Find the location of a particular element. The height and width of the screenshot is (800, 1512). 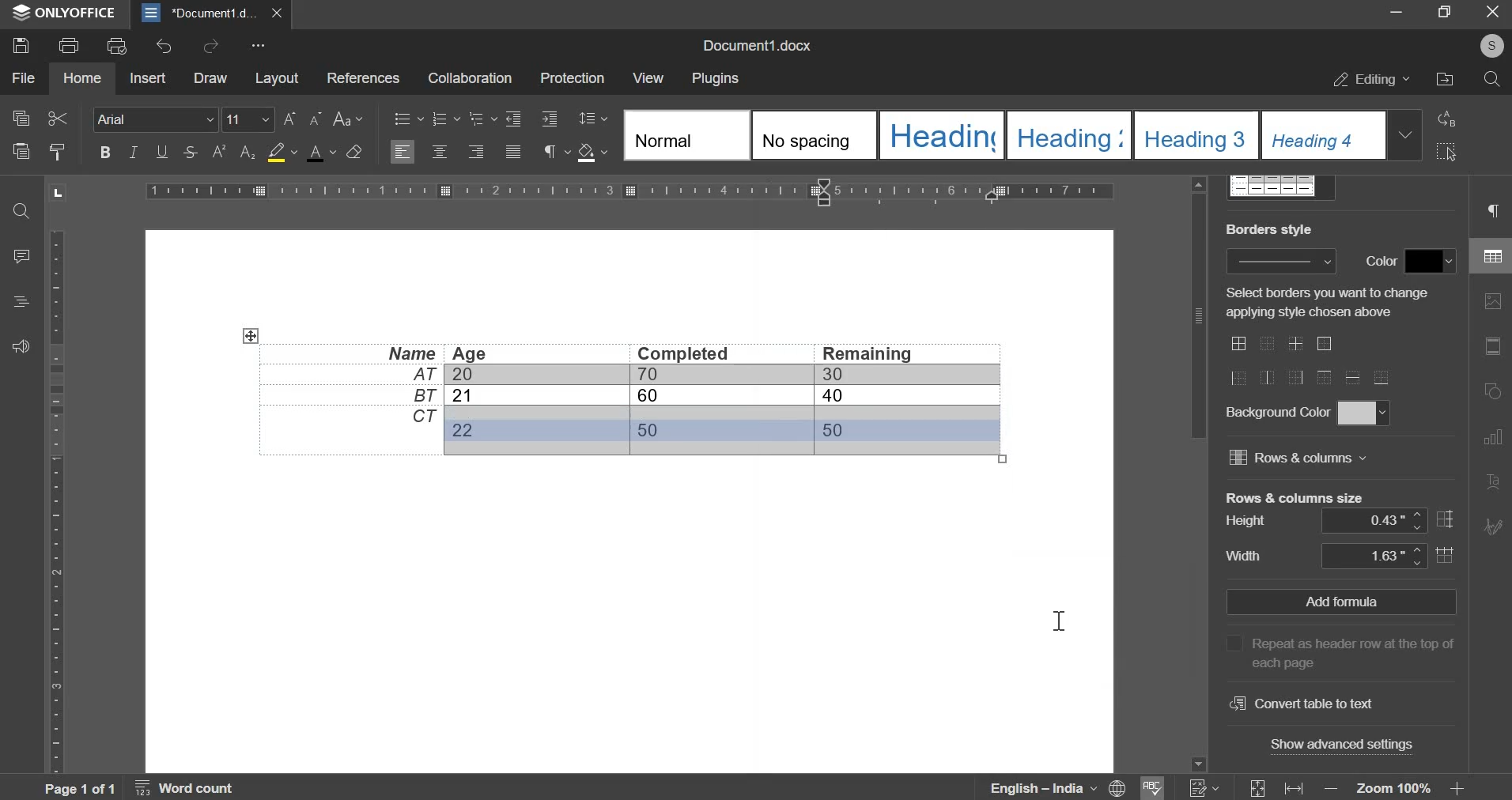

convert table to text is located at coordinates (1298, 704).